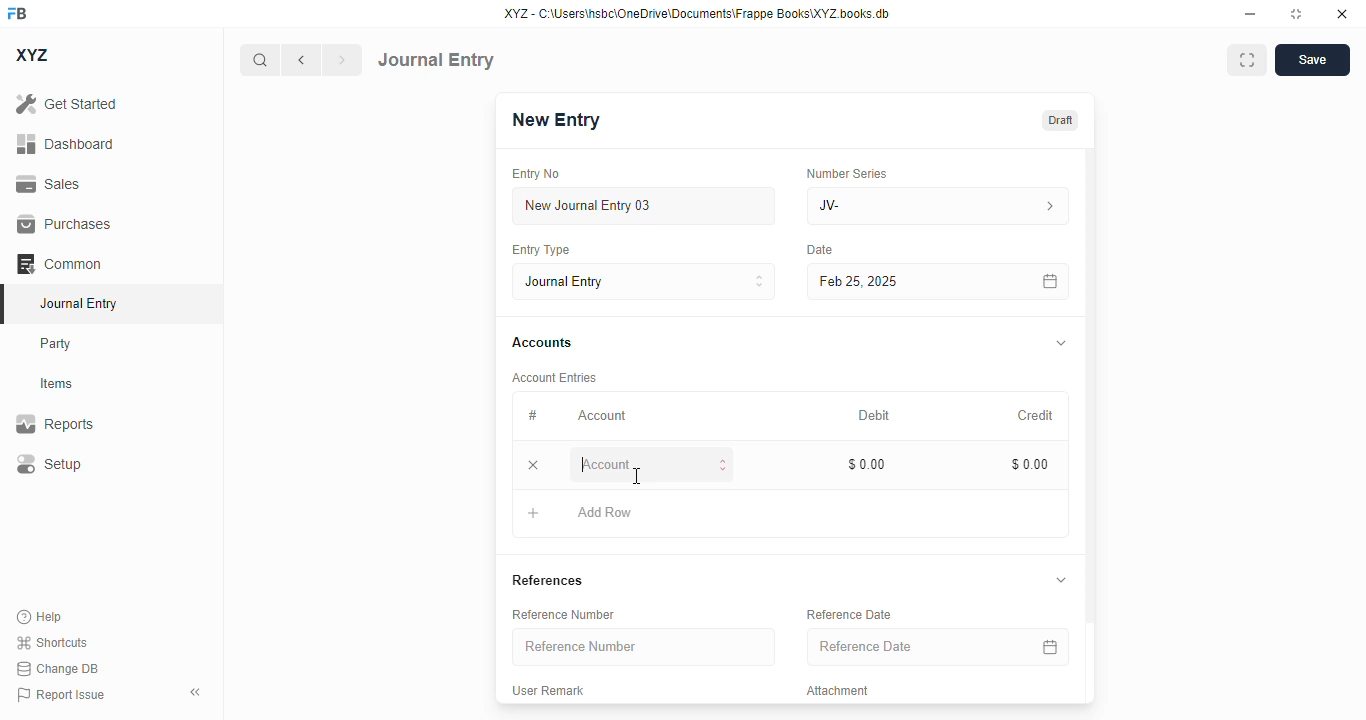 Image resolution: width=1366 pixels, height=720 pixels. What do you see at coordinates (821, 250) in the screenshot?
I see `date` at bounding box center [821, 250].